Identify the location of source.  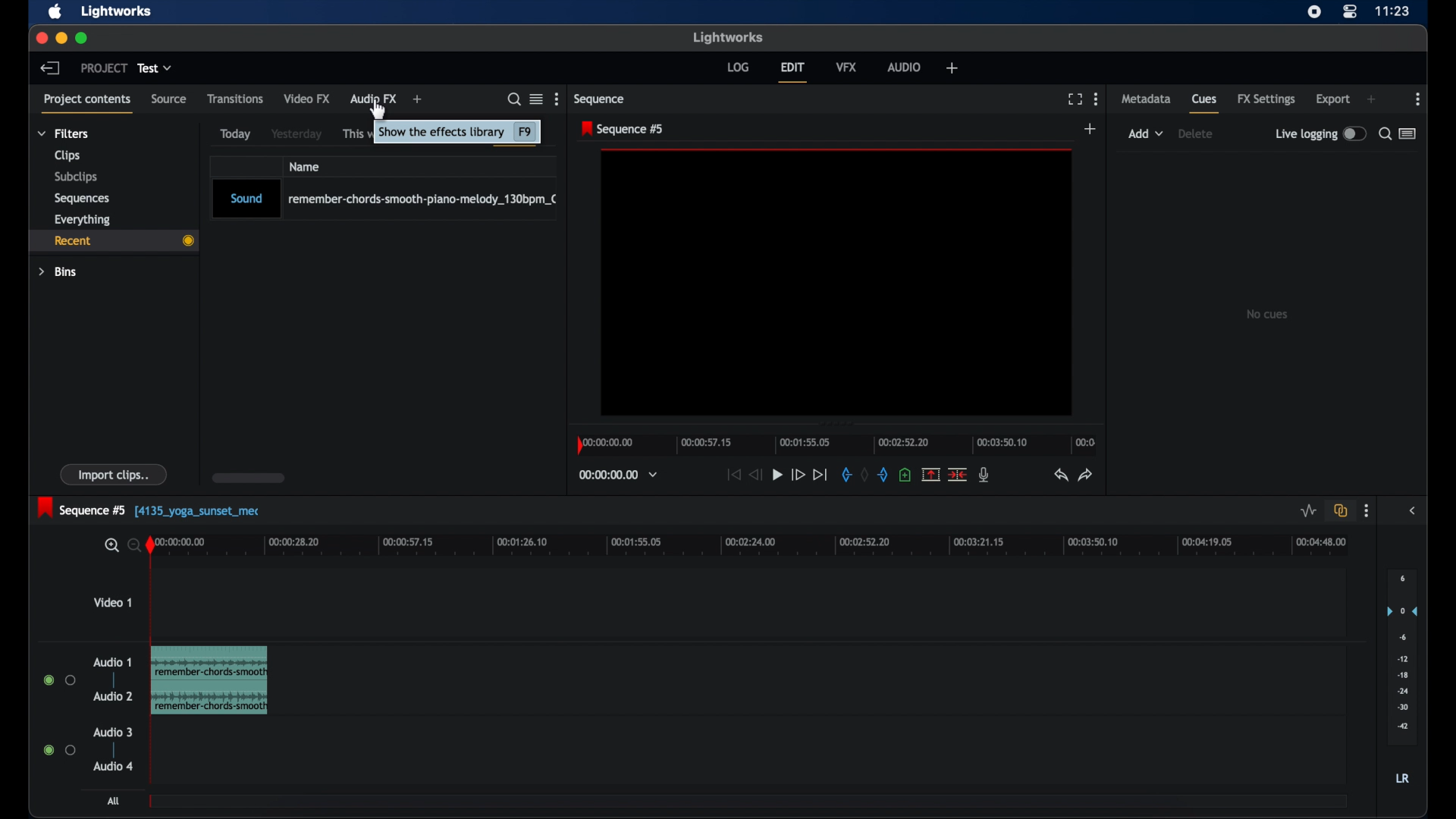
(168, 98).